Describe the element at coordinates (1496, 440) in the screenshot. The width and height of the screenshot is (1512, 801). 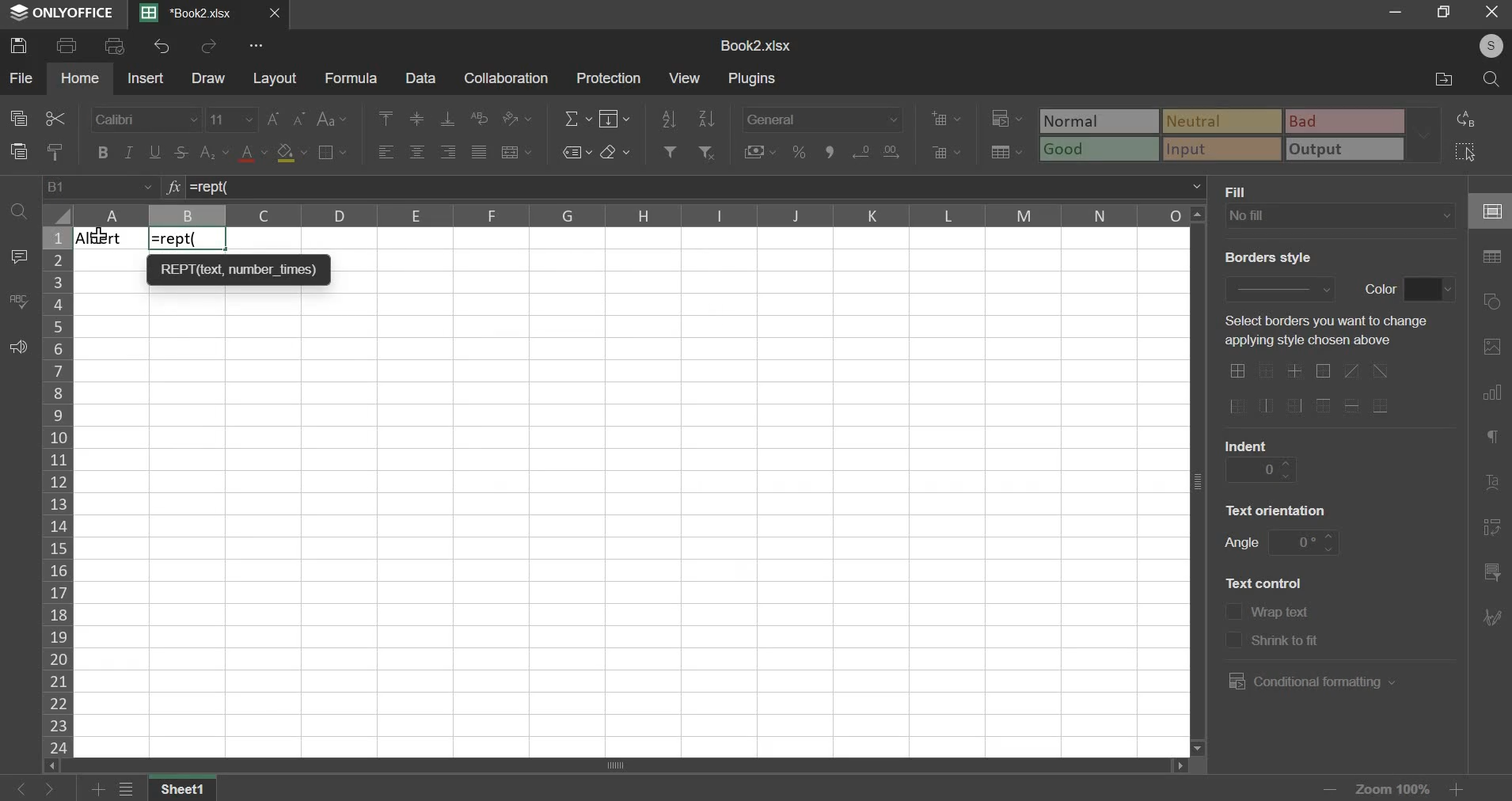
I see `paragraph settings` at that location.